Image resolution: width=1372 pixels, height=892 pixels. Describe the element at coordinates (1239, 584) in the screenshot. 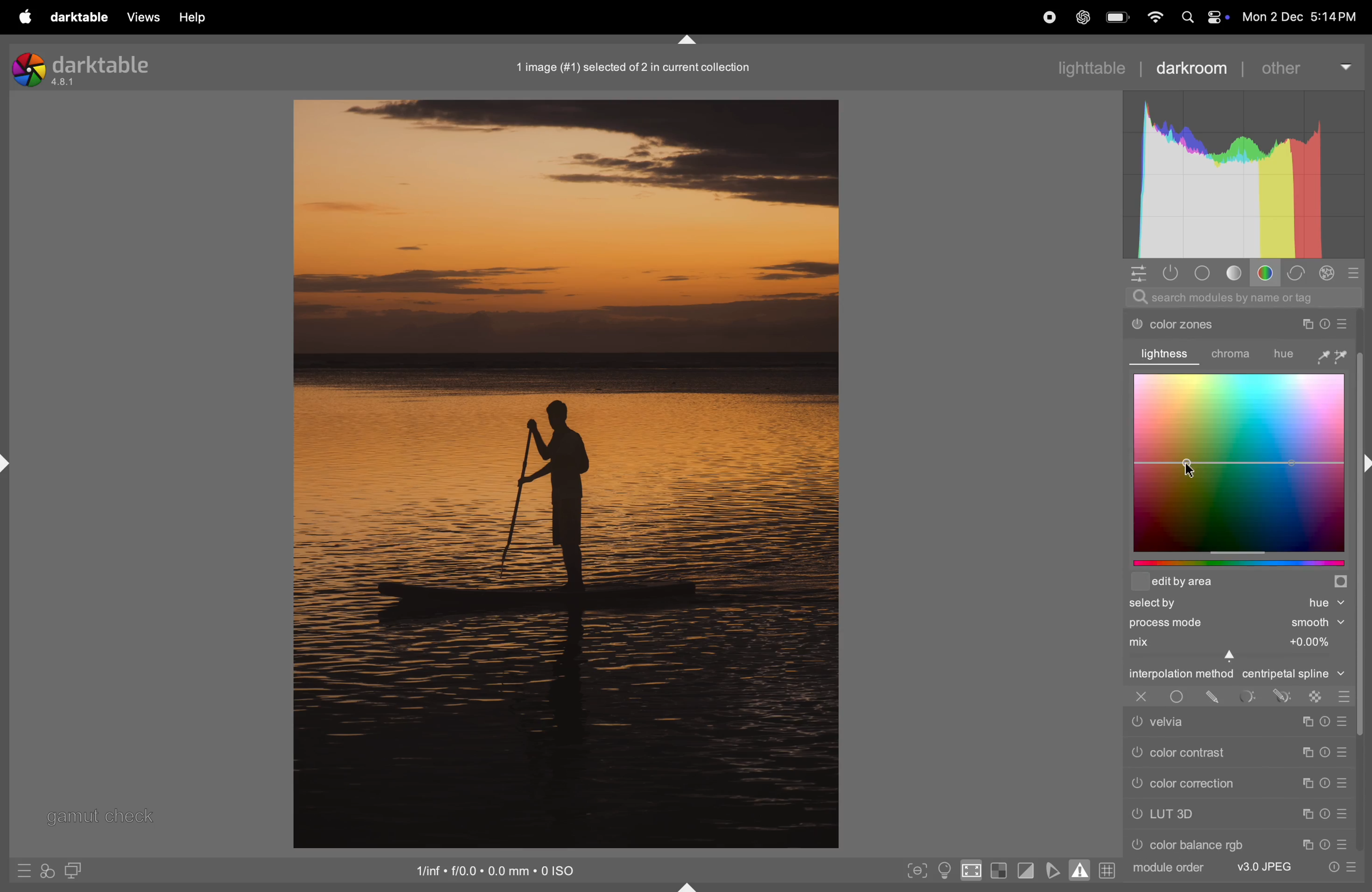

I see `edit area` at that location.